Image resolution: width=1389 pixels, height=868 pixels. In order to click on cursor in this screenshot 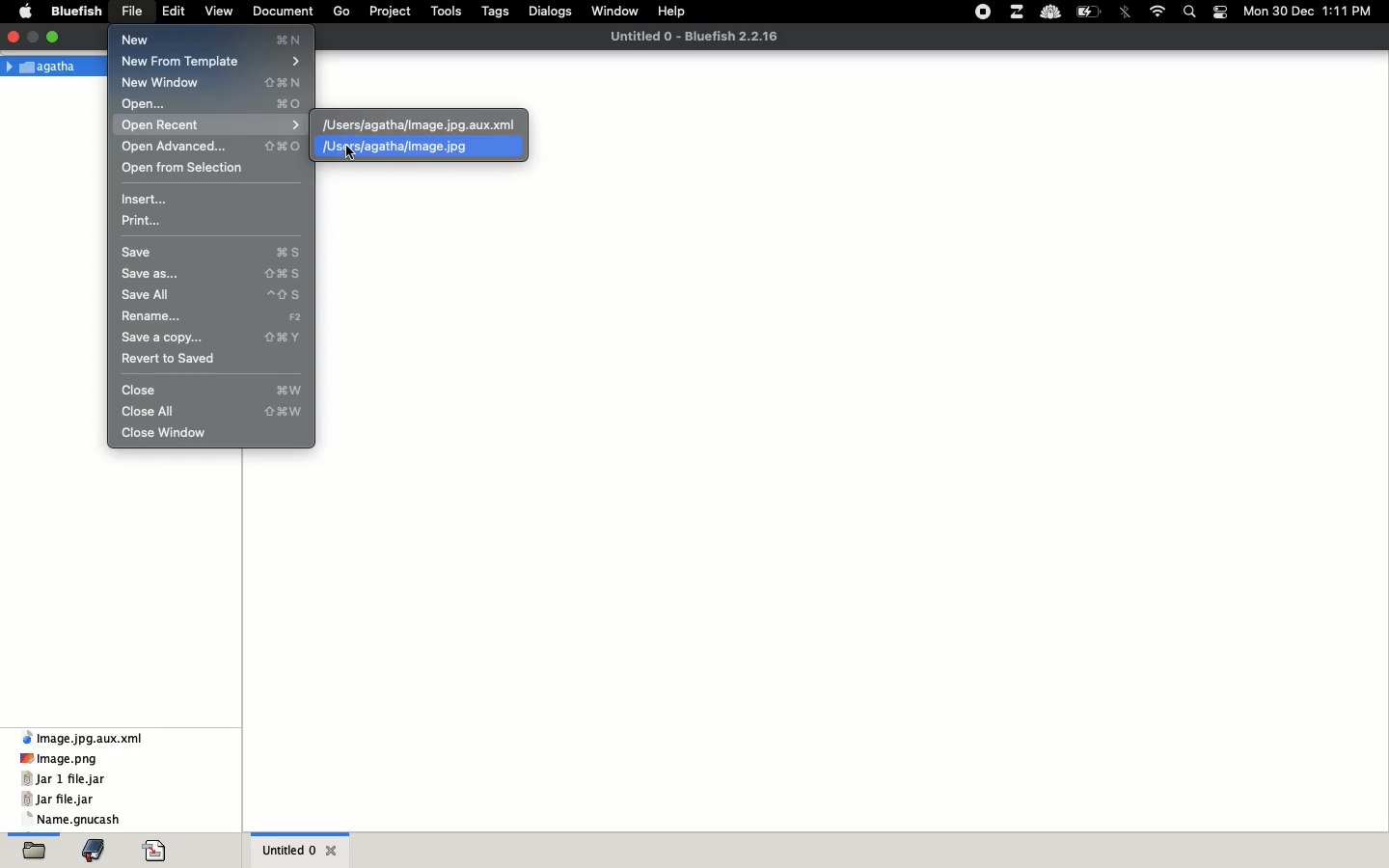, I will do `click(350, 152)`.